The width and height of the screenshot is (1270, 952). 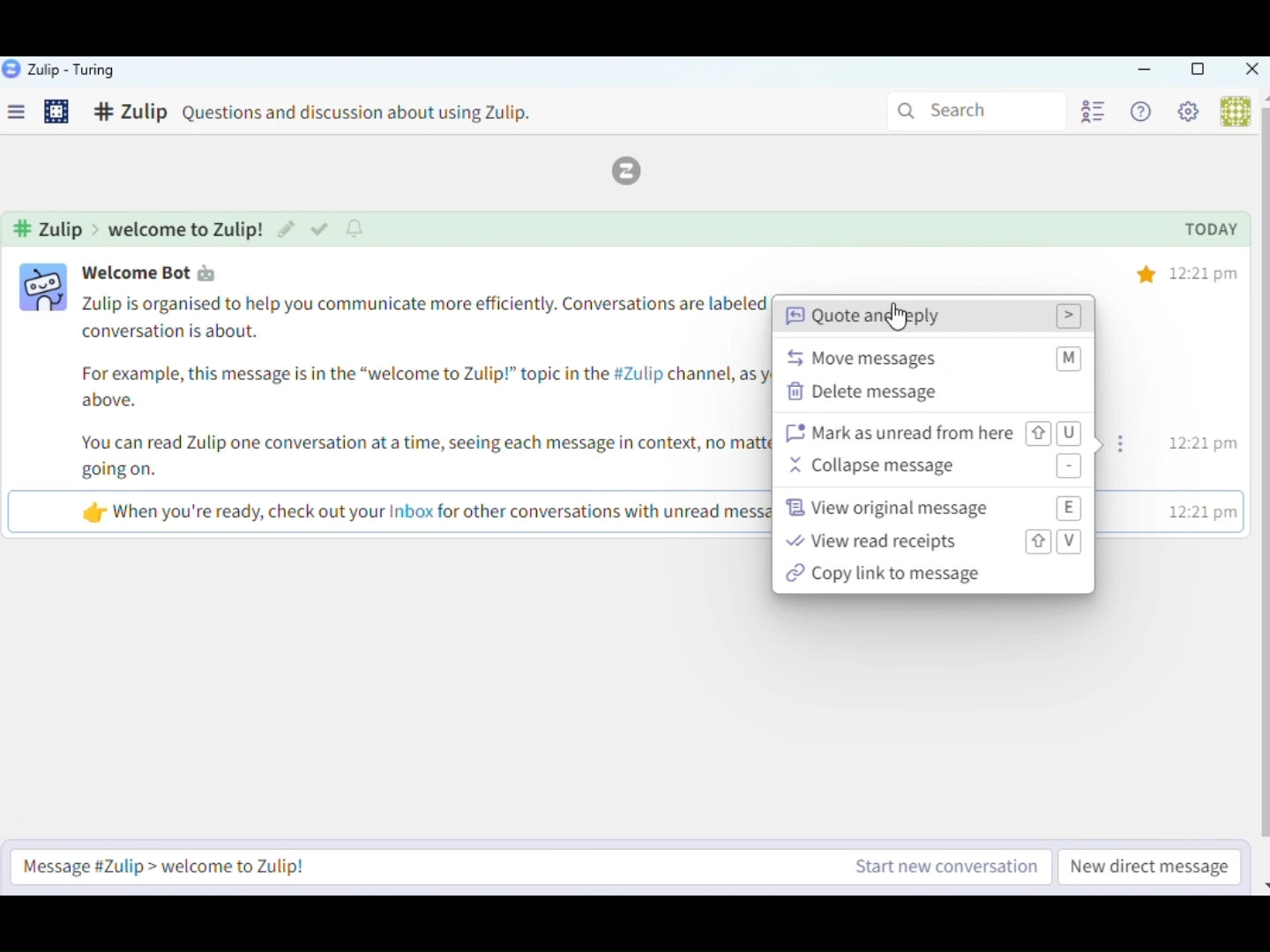 What do you see at coordinates (318, 230) in the screenshot?
I see `mark` at bounding box center [318, 230].